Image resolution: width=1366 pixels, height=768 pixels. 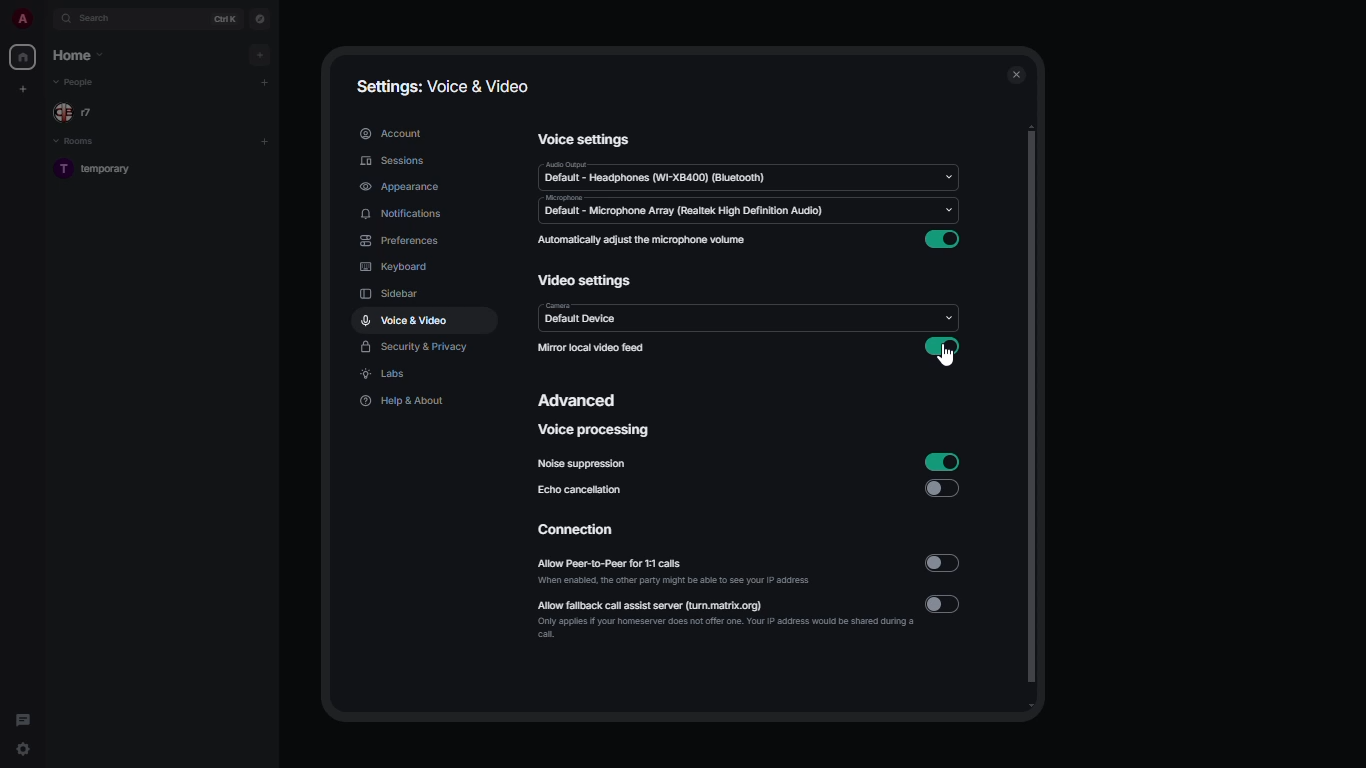 I want to click on rooms, so click(x=78, y=142).